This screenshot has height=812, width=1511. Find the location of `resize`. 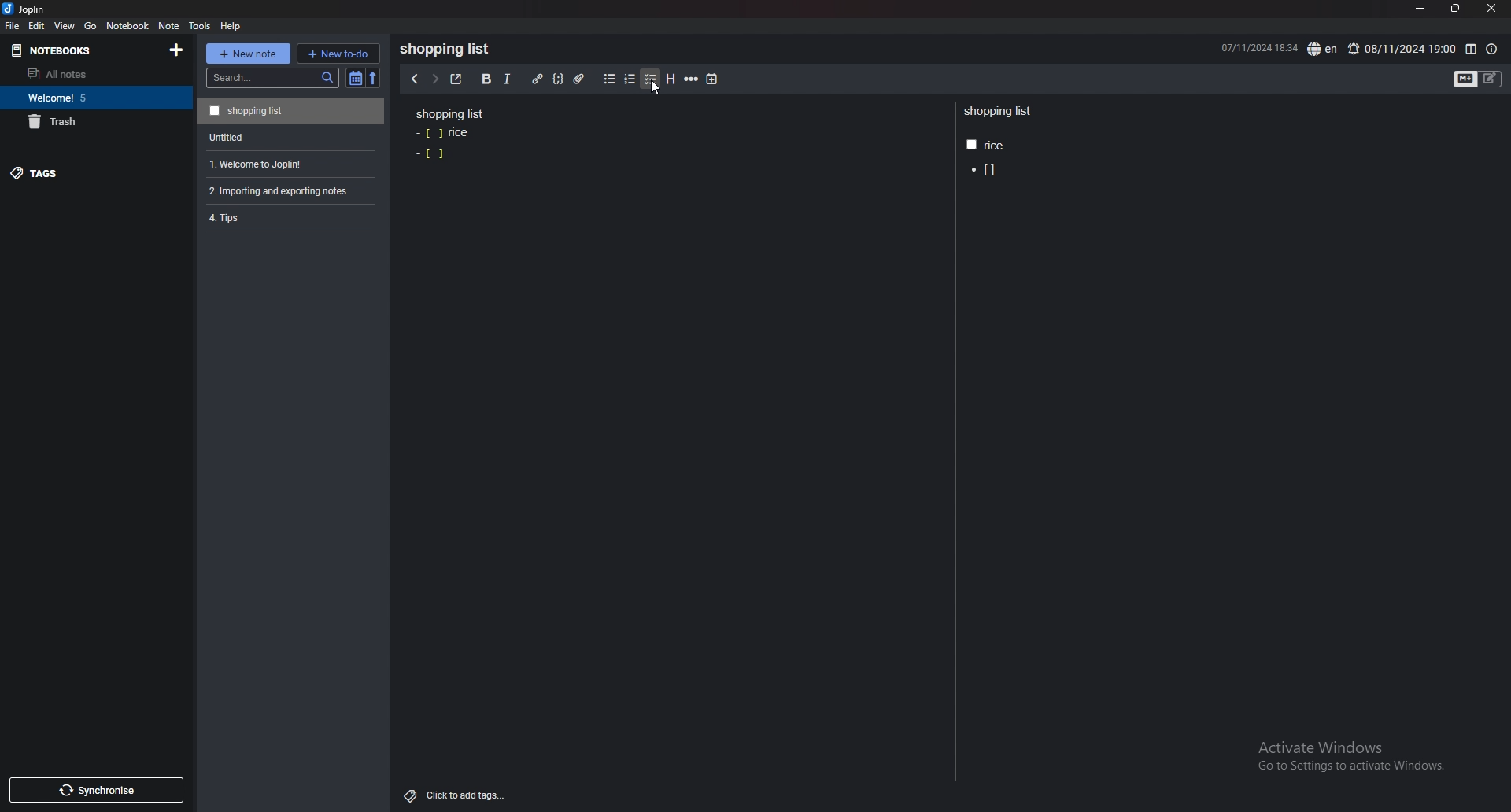

resize is located at coordinates (1454, 9).